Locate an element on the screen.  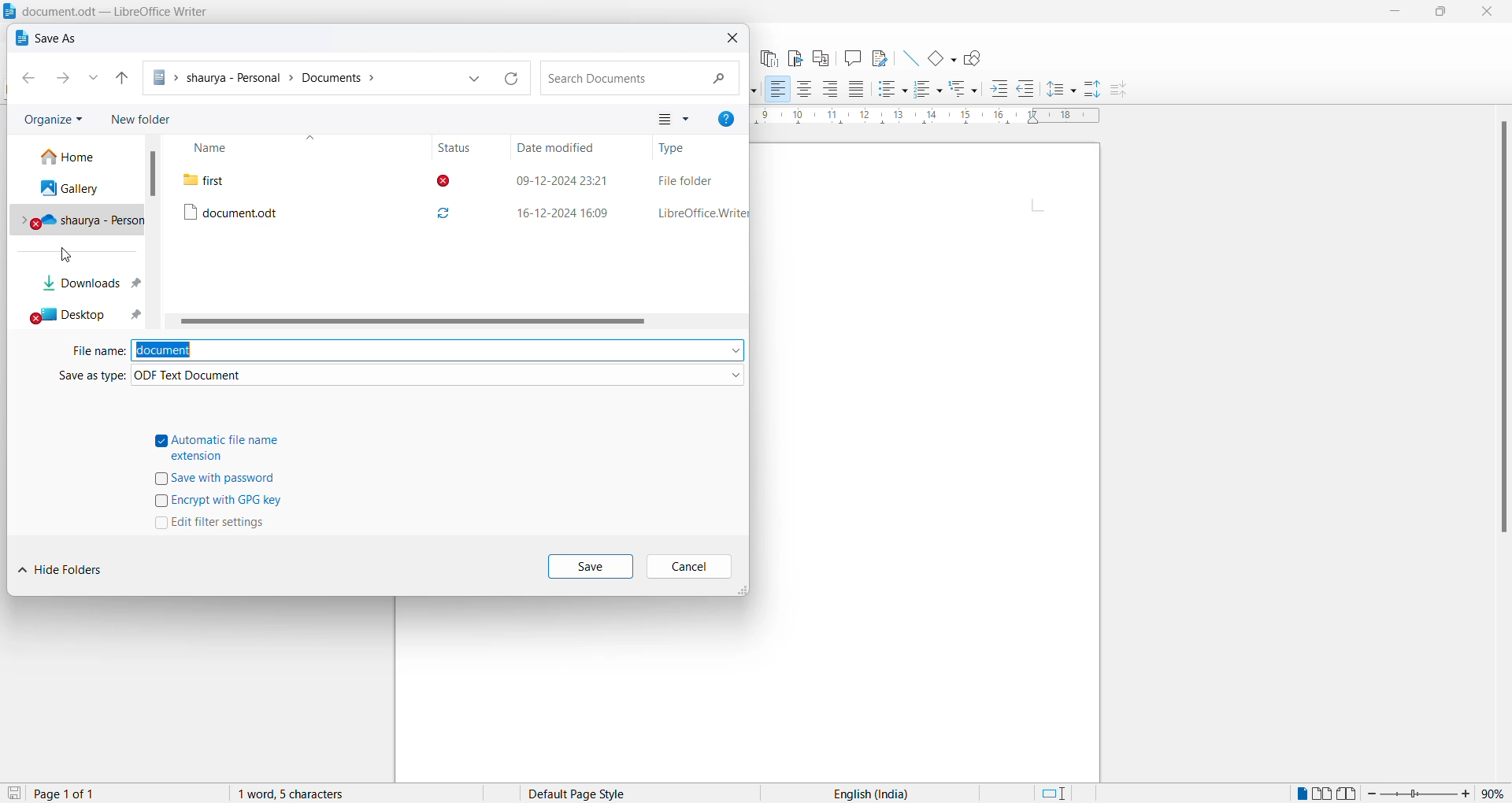
Gallery is located at coordinates (78, 191).